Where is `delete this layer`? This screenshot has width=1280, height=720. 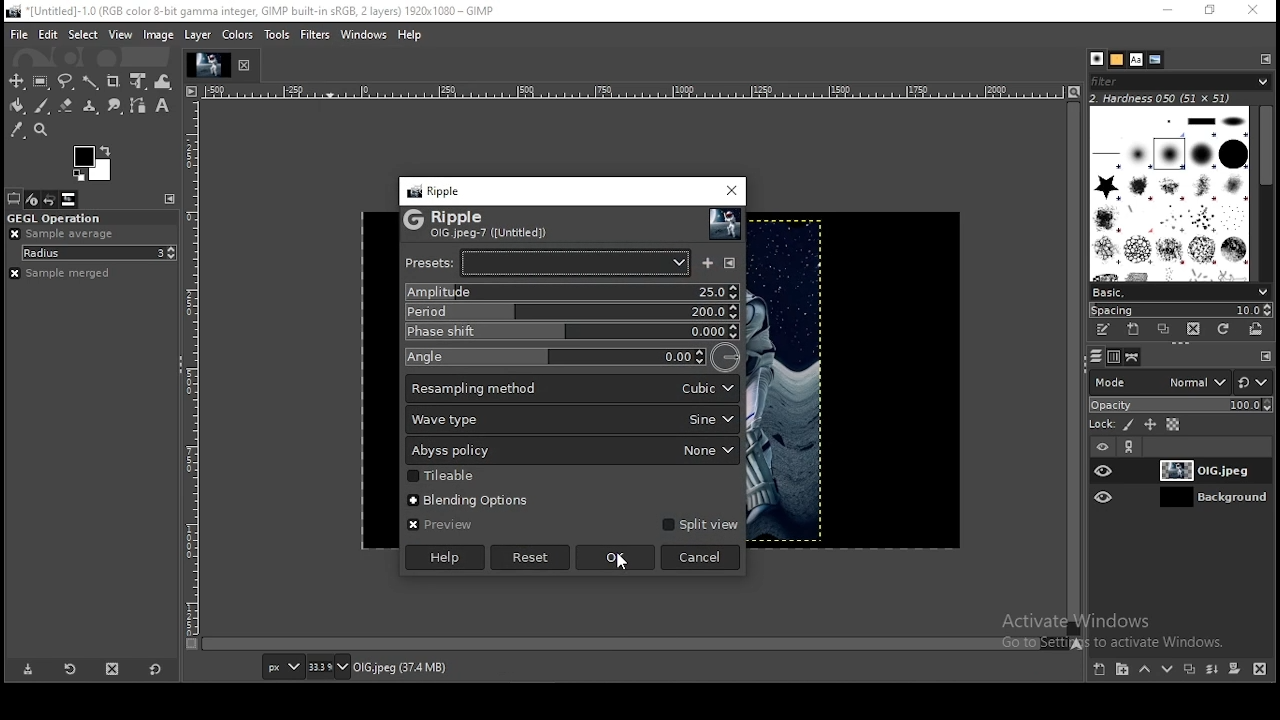 delete this layer is located at coordinates (1260, 670).